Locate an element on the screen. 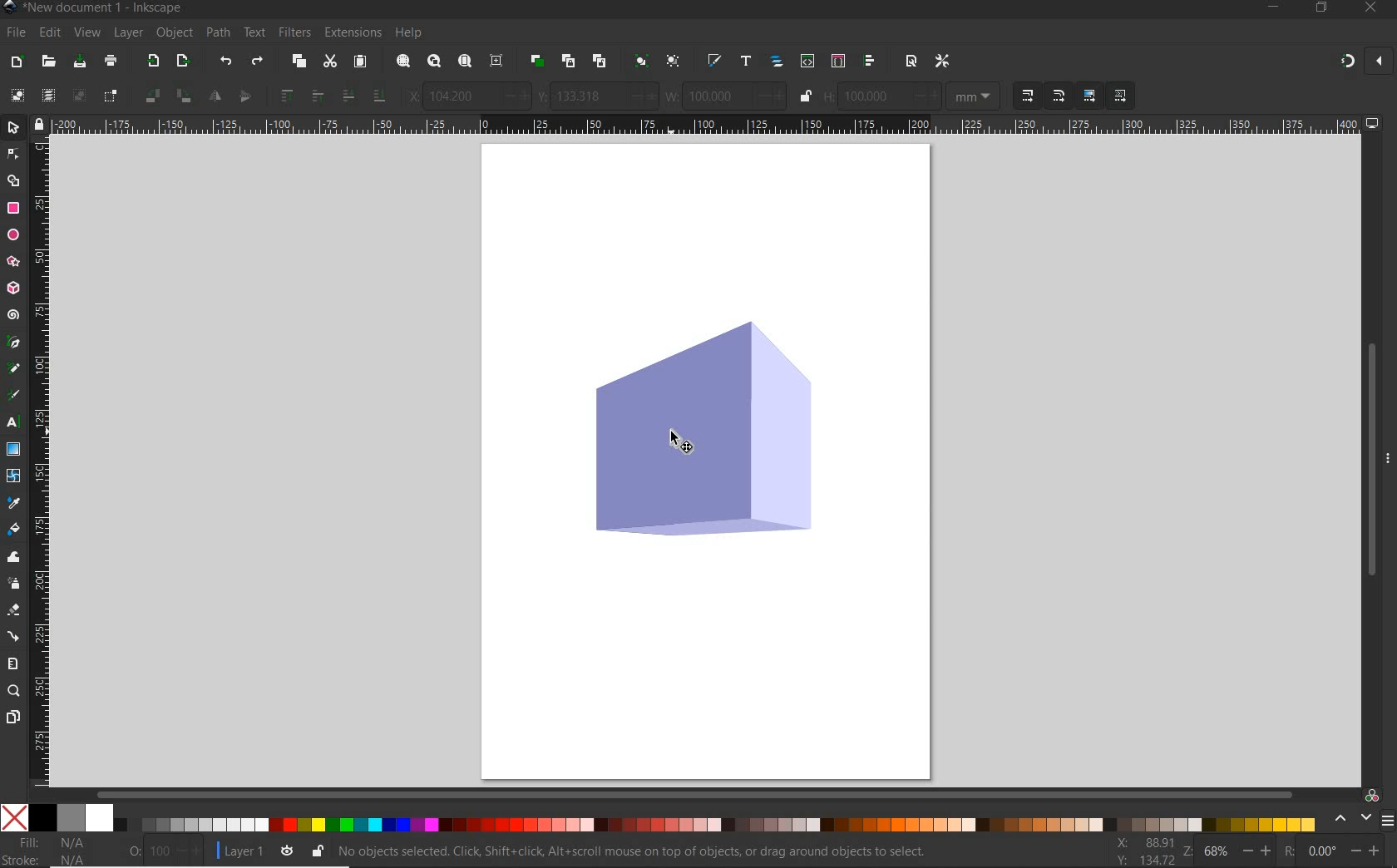  SAVE is located at coordinates (79, 61).